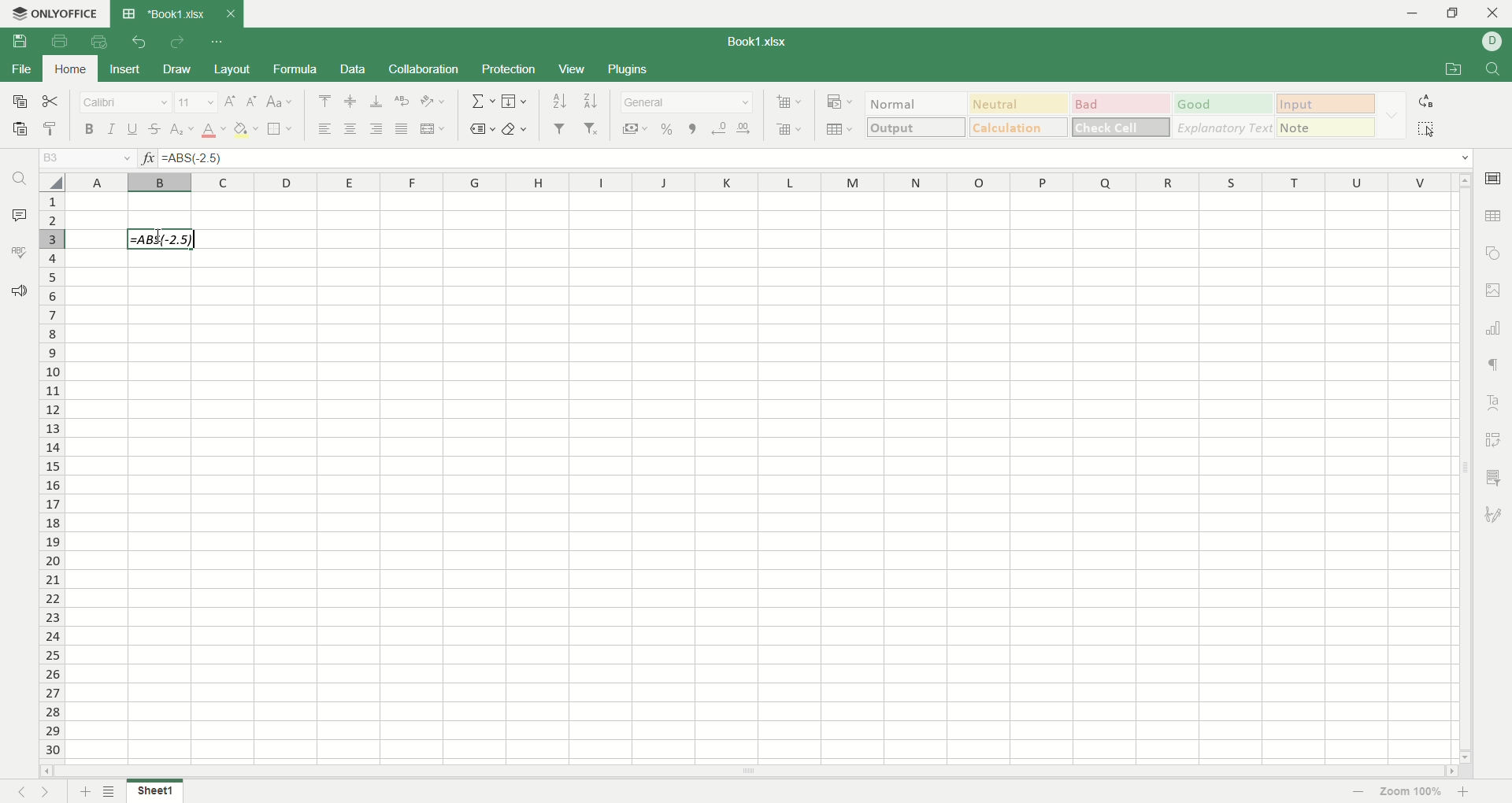  Describe the element at coordinates (1456, 70) in the screenshot. I see `open file location` at that location.